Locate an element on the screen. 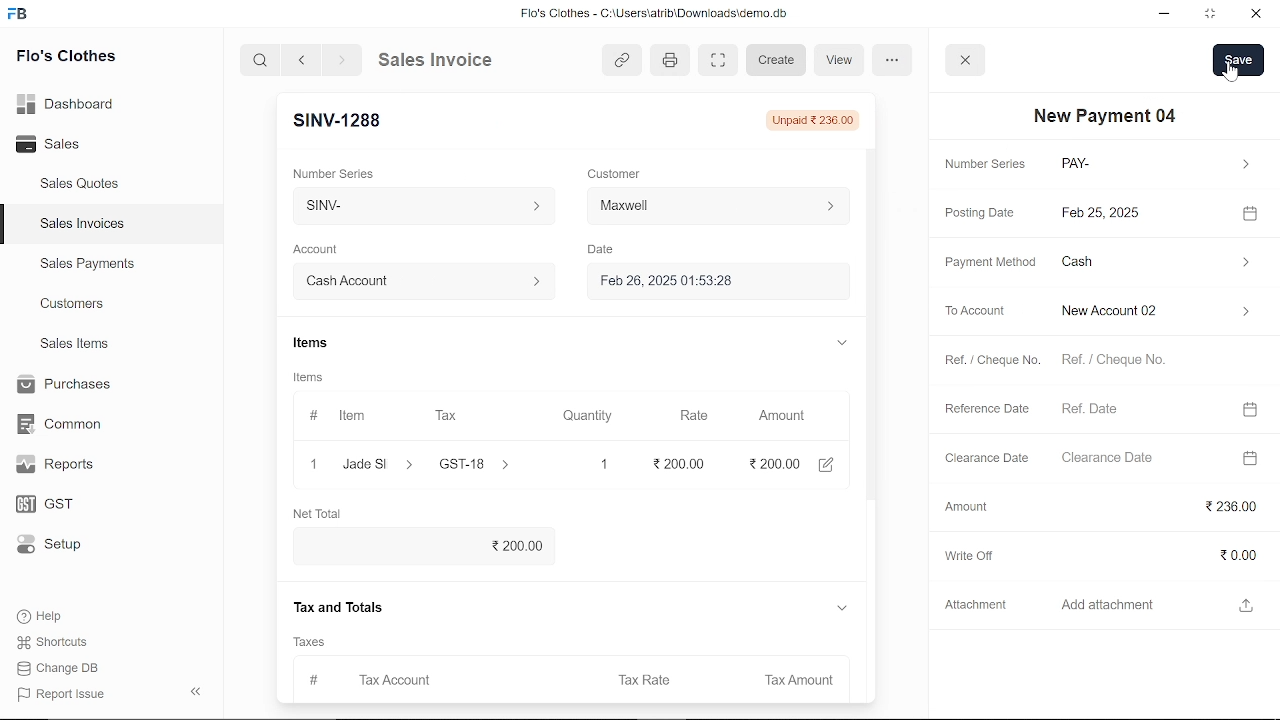 The height and width of the screenshot is (720, 1280). Flo's Clothes is located at coordinates (66, 58).